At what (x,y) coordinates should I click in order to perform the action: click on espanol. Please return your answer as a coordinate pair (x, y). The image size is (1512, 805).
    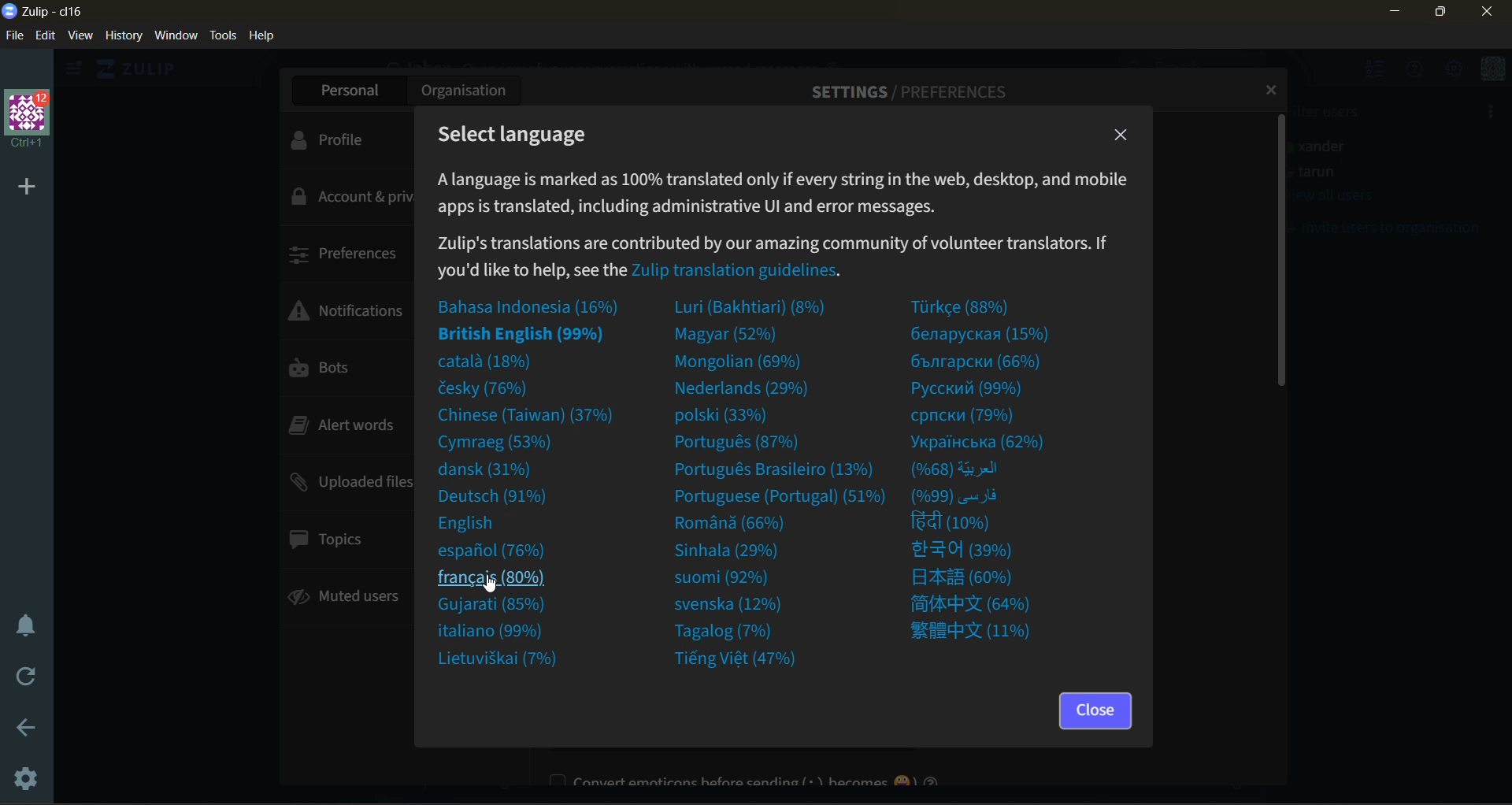
    Looking at the image, I should click on (498, 551).